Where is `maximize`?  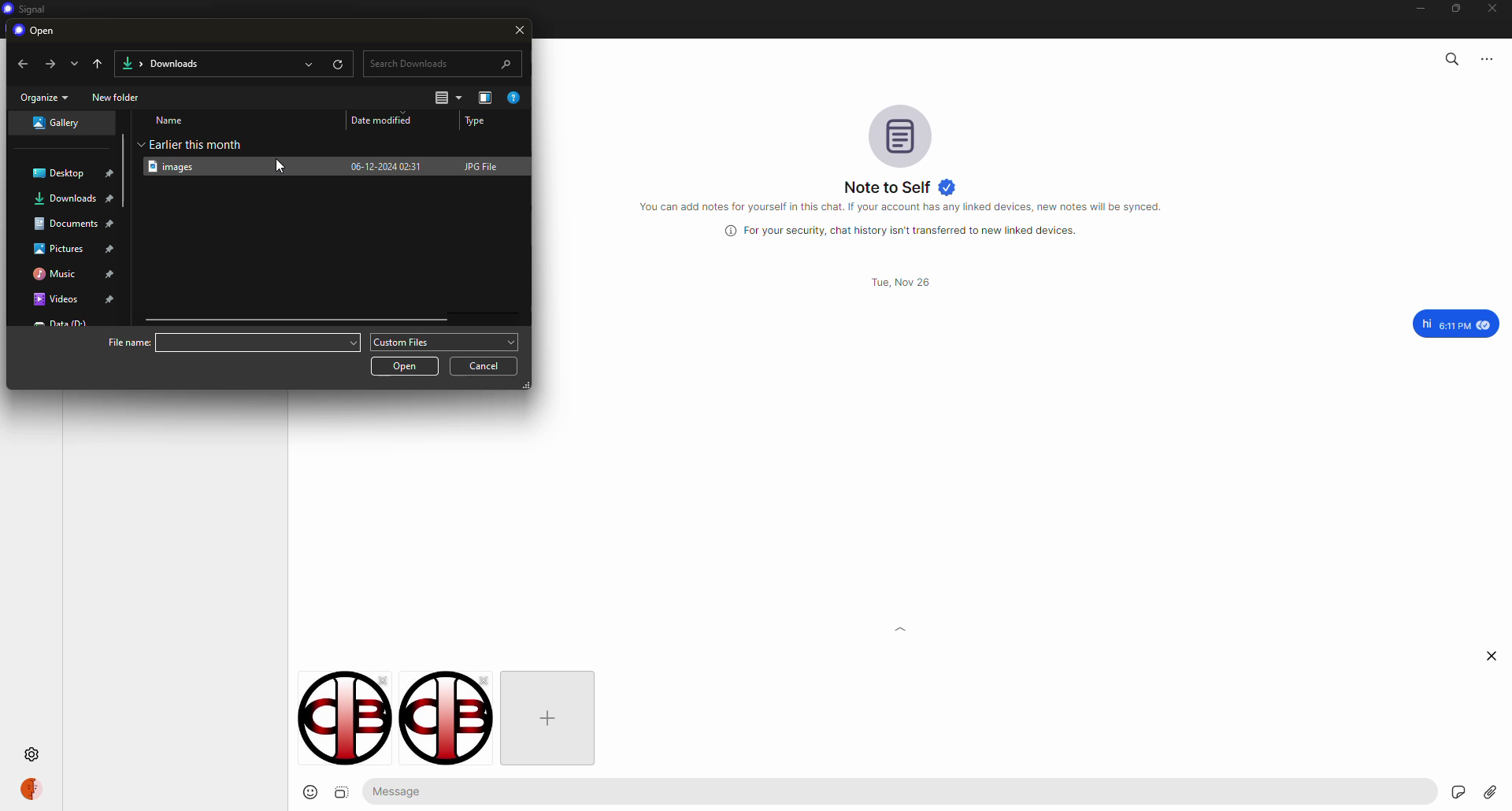
maximize is located at coordinates (1456, 12).